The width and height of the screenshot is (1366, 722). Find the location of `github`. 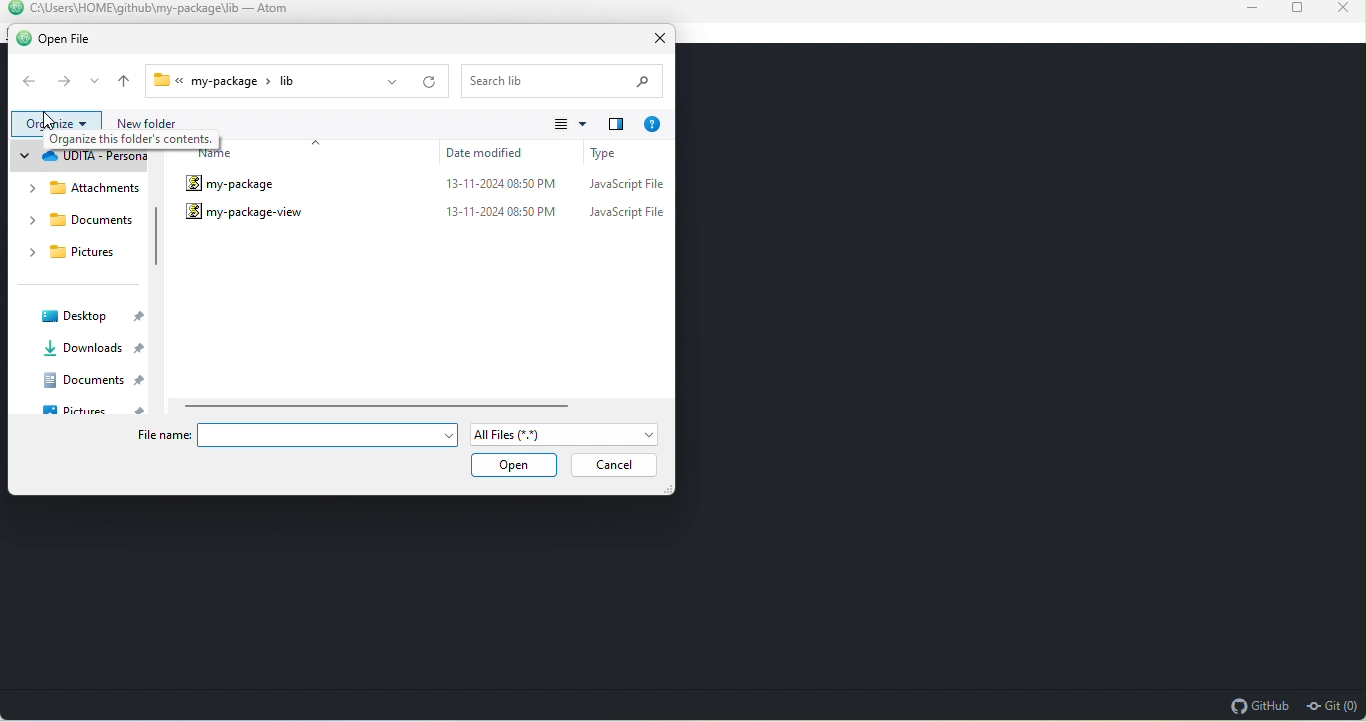

github is located at coordinates (1258, 705).